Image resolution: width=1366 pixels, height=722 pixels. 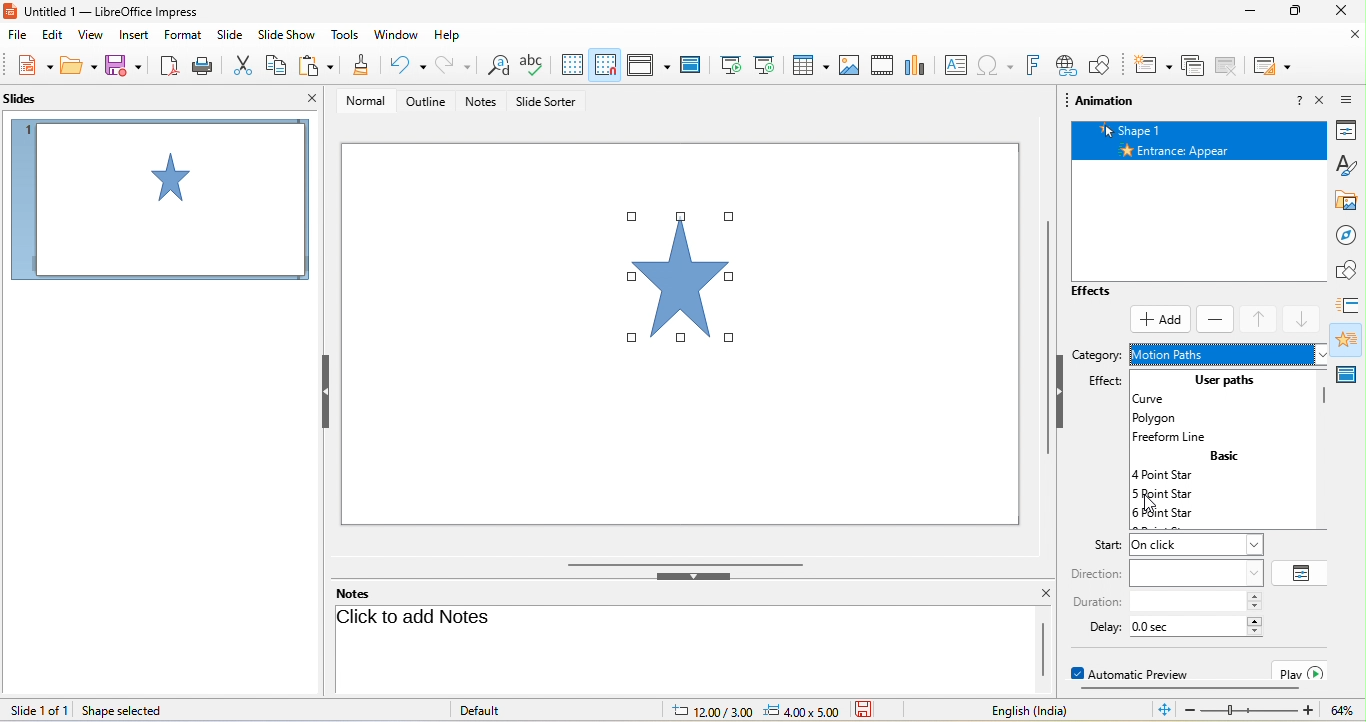 What do you see at coordinates (1302, 572) in the screenshot?
I see `option` at bounding box center [1302, 572].